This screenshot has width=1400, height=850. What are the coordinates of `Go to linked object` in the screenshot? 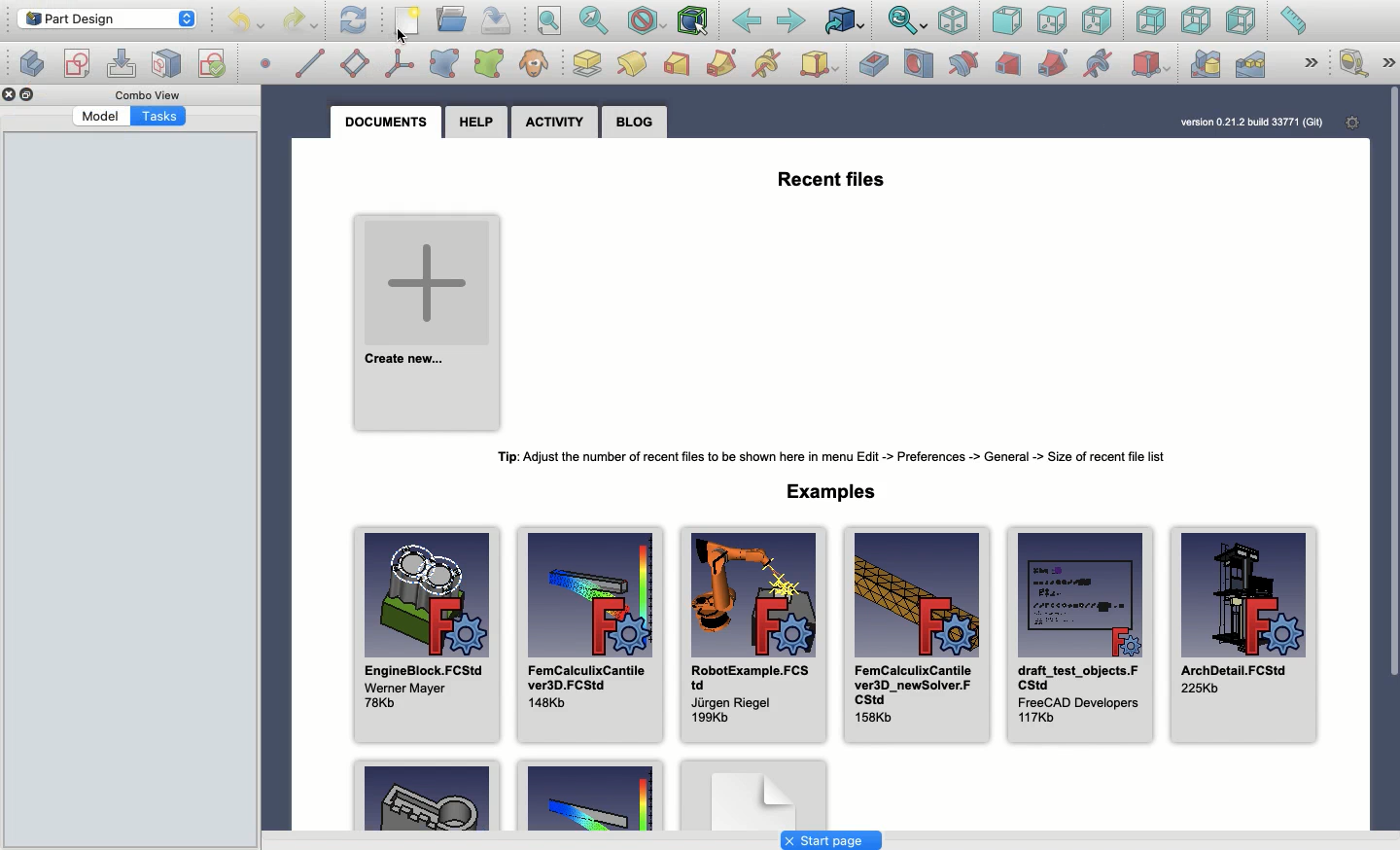 It's located at (845, 22).